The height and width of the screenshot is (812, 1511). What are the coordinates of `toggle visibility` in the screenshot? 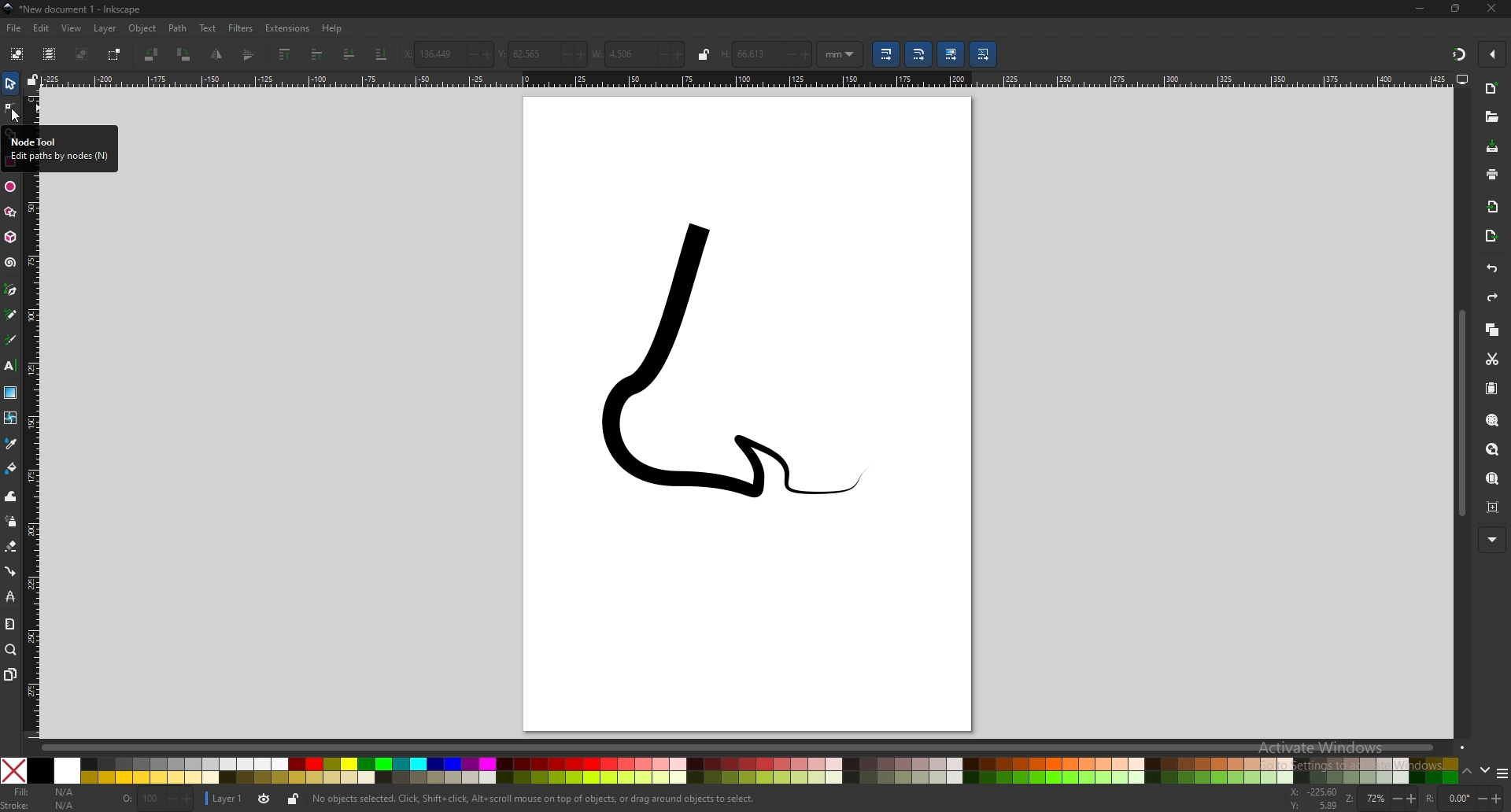 It's located at (263, 799).